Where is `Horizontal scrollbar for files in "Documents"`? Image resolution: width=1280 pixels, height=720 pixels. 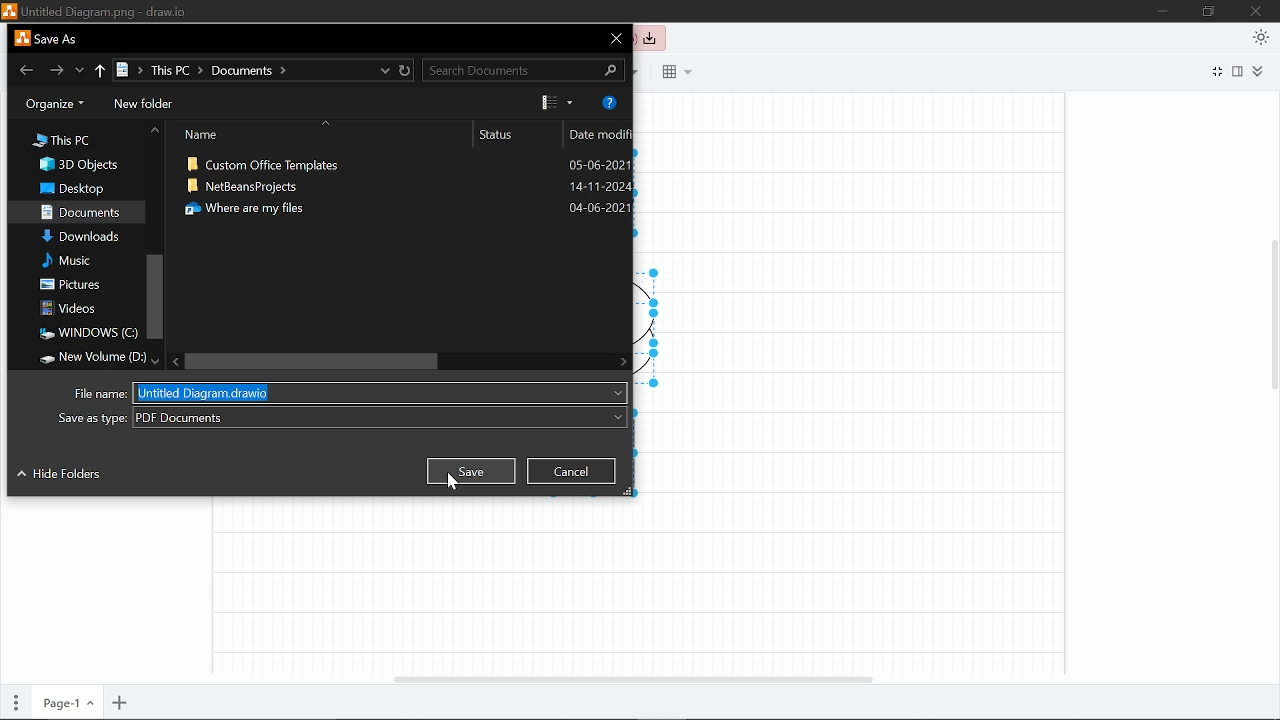 Horizontal scrollbar for files in "Documents" is located at coordinates (311, 361).